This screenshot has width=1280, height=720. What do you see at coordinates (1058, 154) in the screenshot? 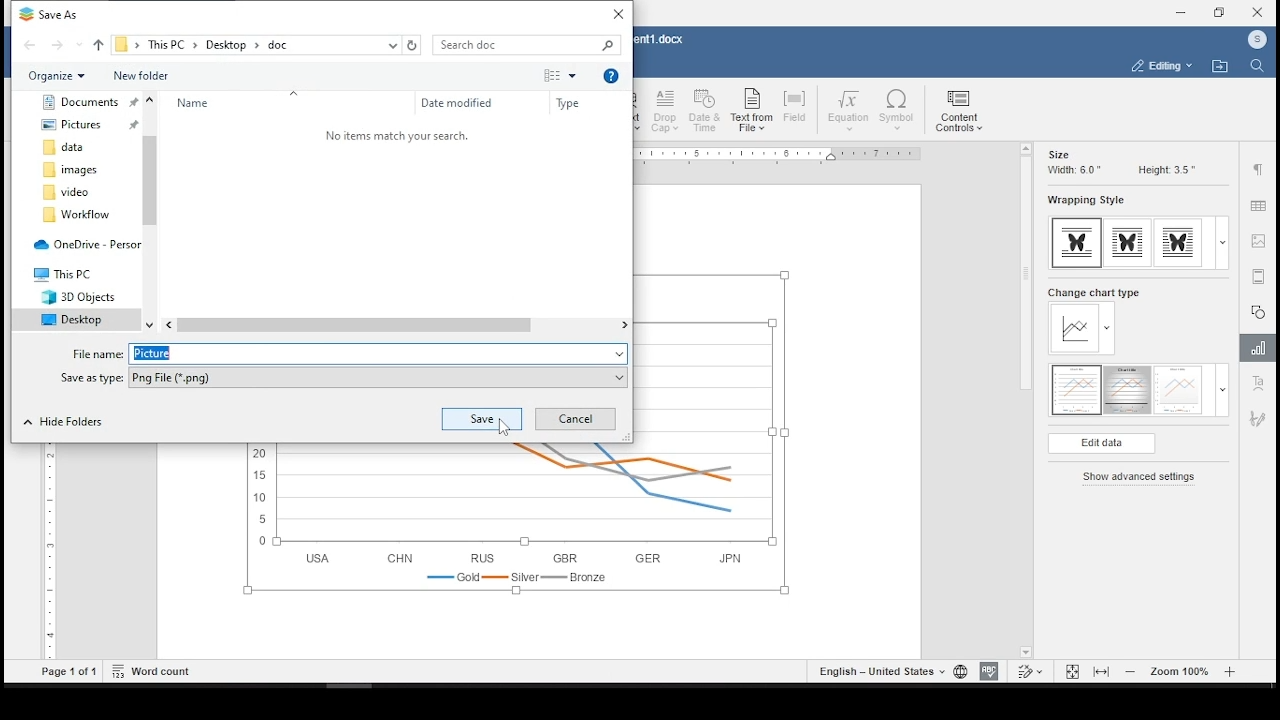
I see `size` at bounding box center [1058, 154].